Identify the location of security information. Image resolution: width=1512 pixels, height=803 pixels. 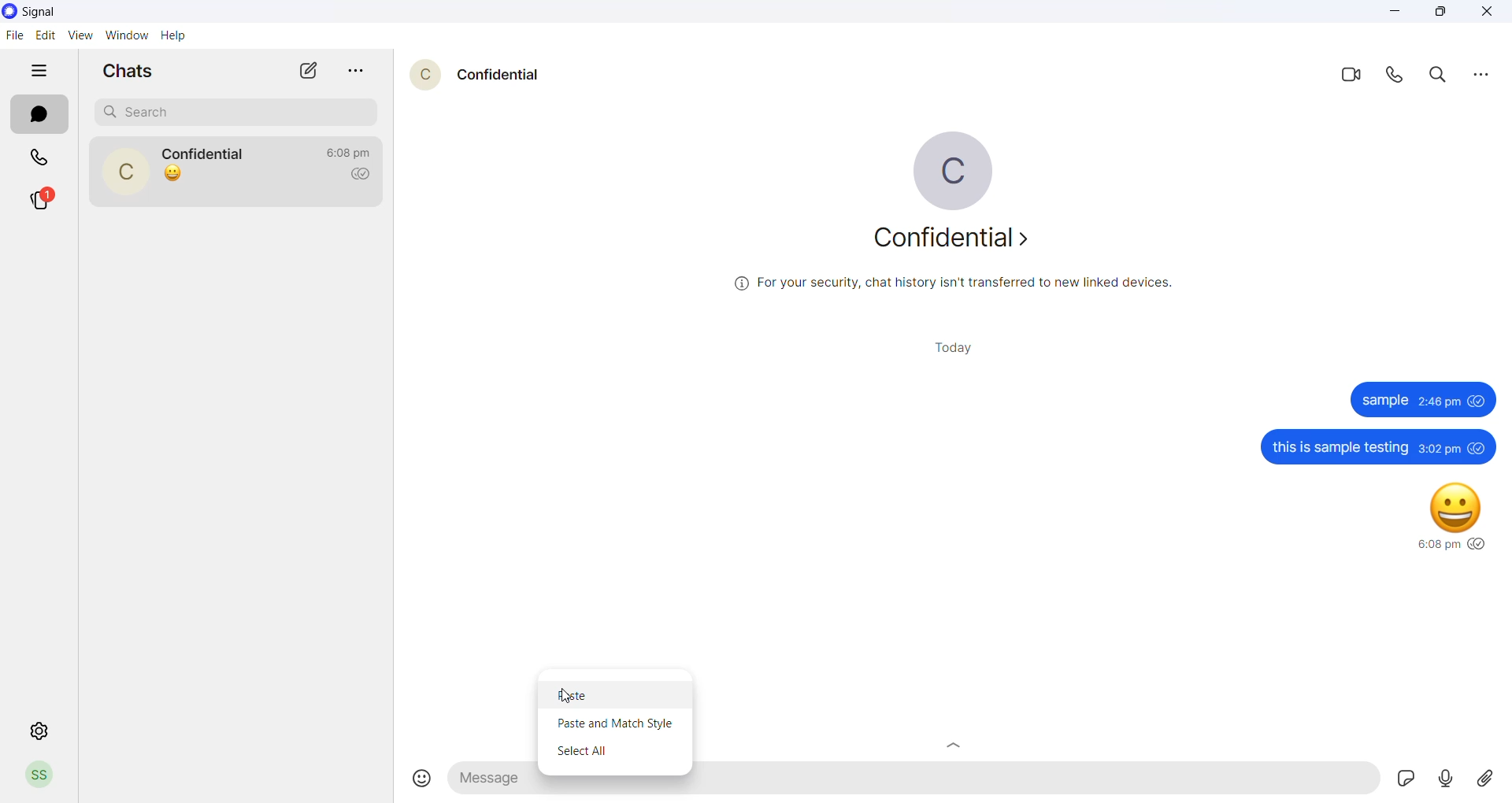
(953, 288).